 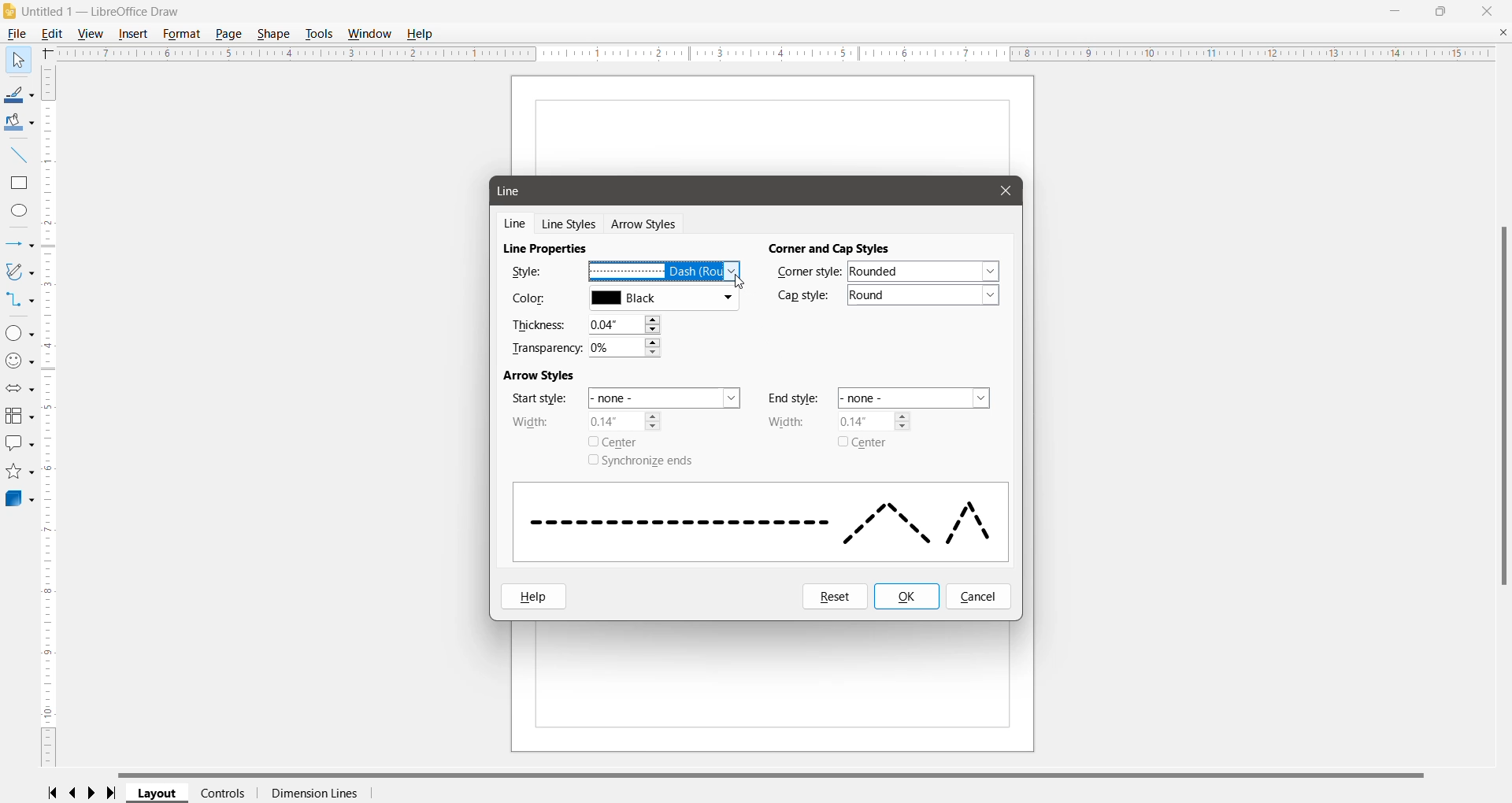 I want to click on Color, so click(x=532, y=299).